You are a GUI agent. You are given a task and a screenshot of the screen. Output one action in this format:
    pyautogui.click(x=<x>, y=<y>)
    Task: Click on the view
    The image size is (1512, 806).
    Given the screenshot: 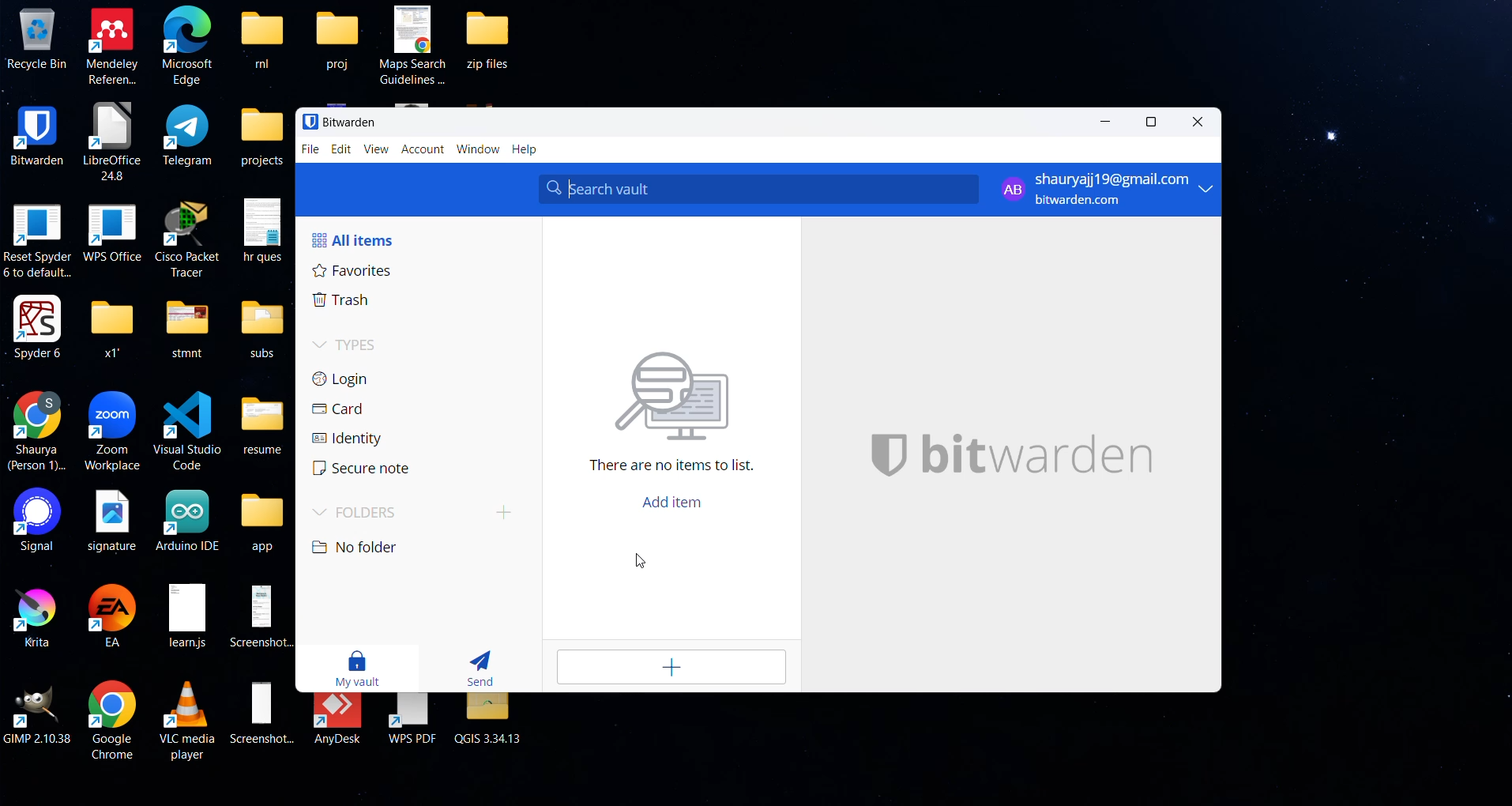 What is the action you would take?
    pyautogui.click(x=376, y=151)
    